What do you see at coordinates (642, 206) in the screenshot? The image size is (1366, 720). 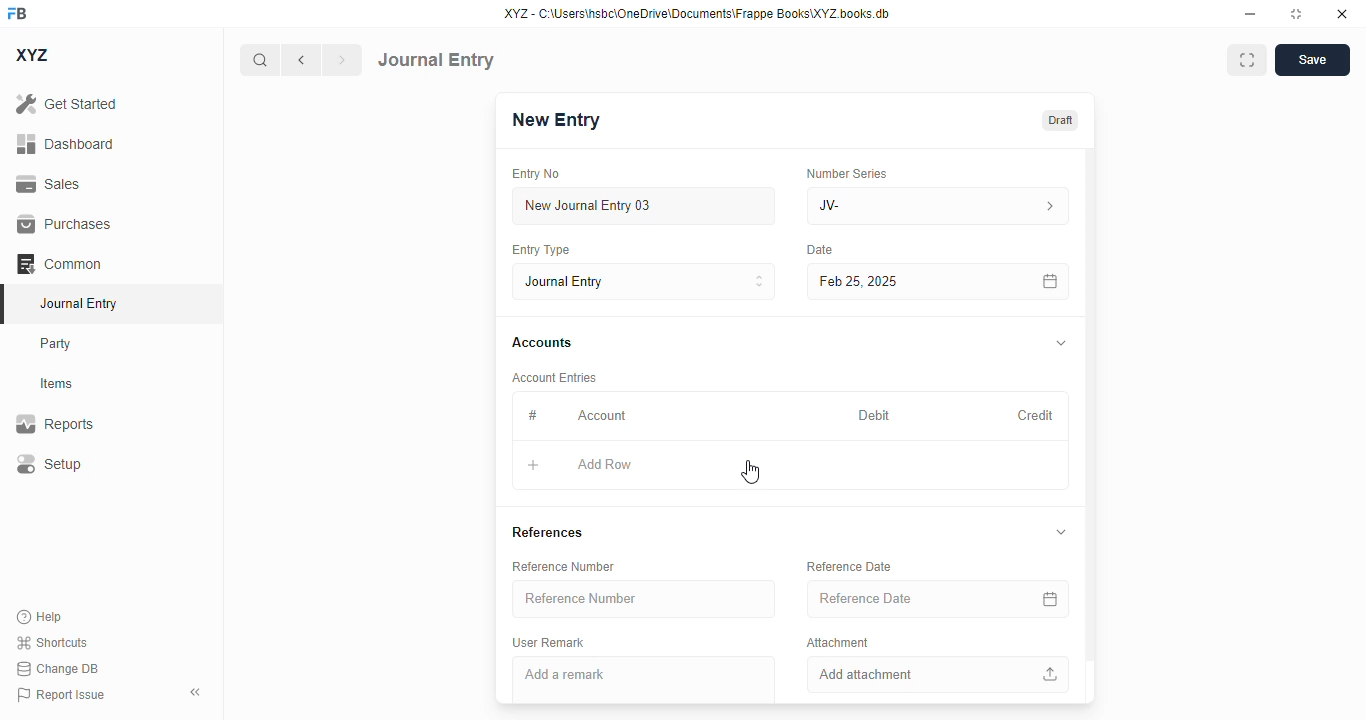 I see `new journal entry 03` at bounding box center [642, 206].